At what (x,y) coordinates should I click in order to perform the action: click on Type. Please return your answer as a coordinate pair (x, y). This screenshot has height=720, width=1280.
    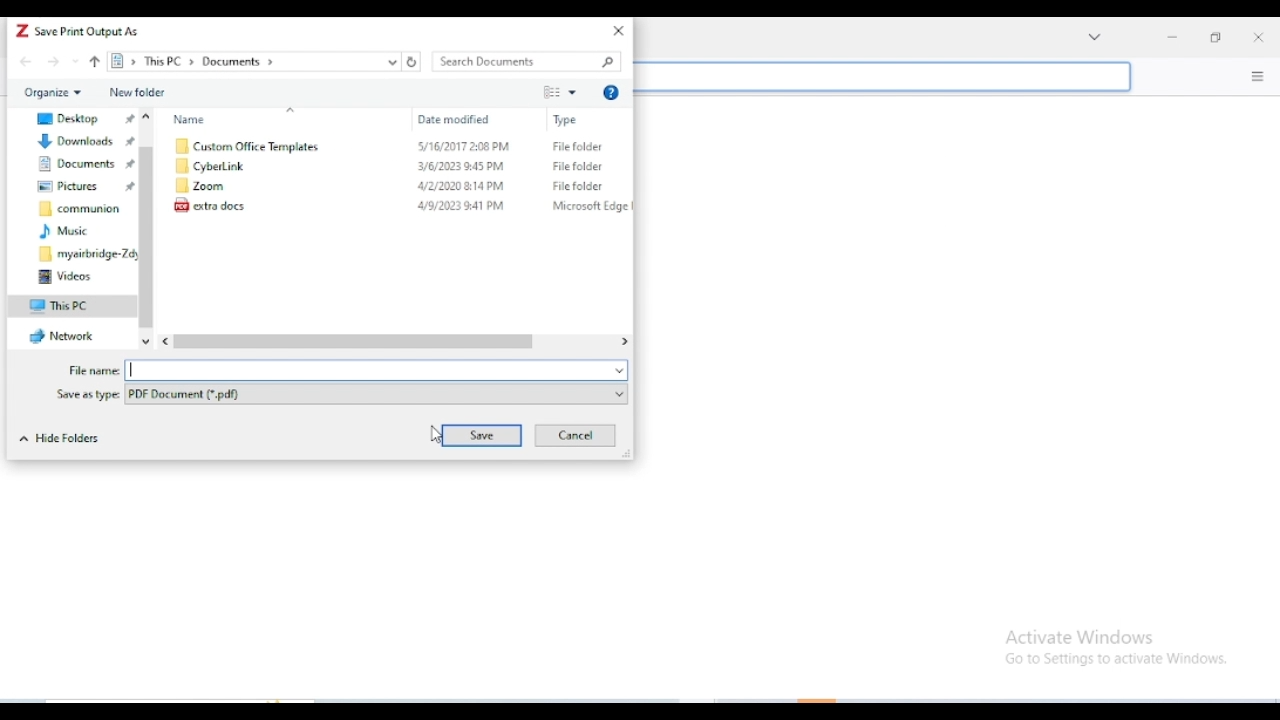
    Looking at the image, I should click on (570, 120).